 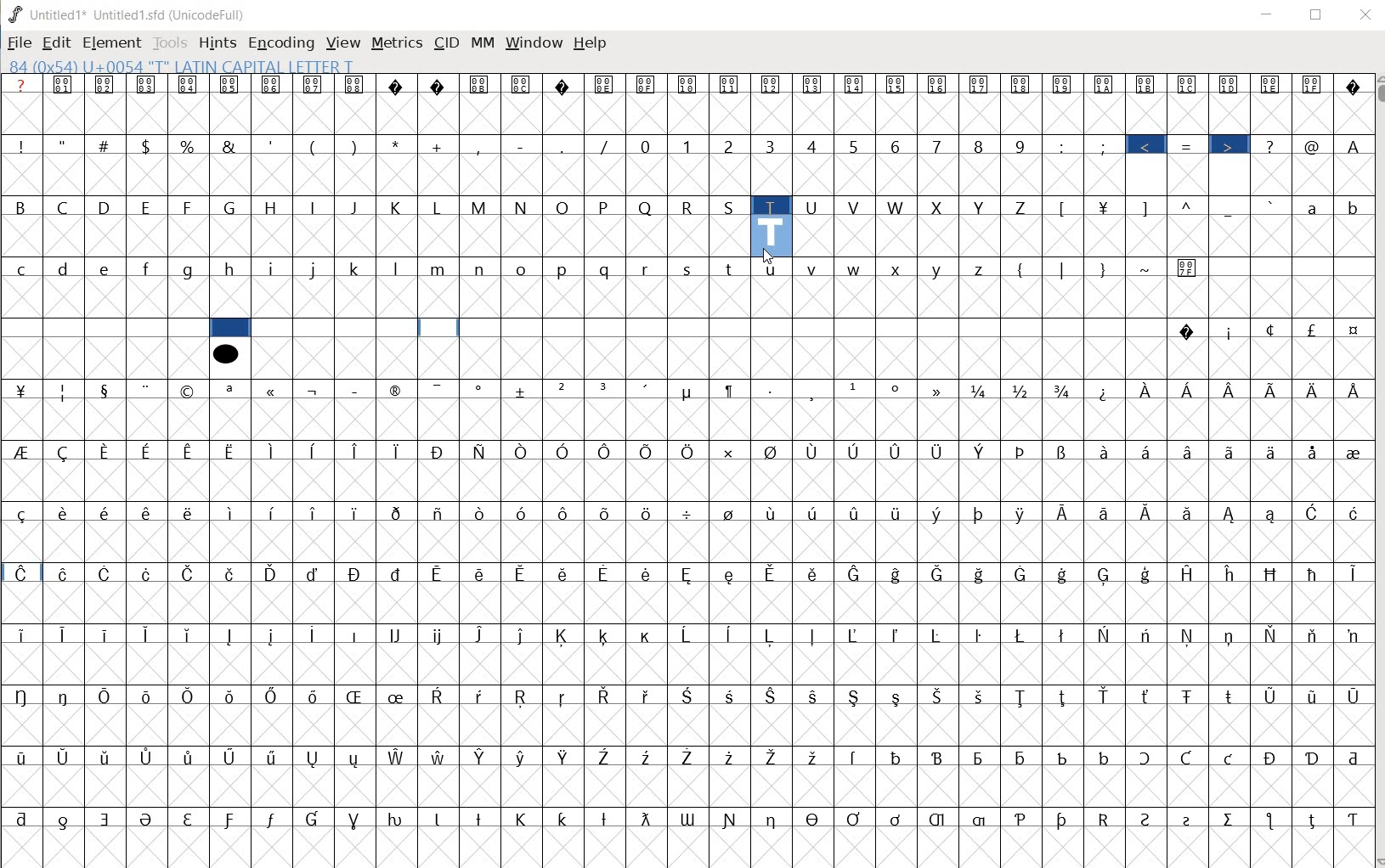 What do you see at coordinates (732, 819) in the screenshot?
I see `Symbol` at bounding box center [732, 819].